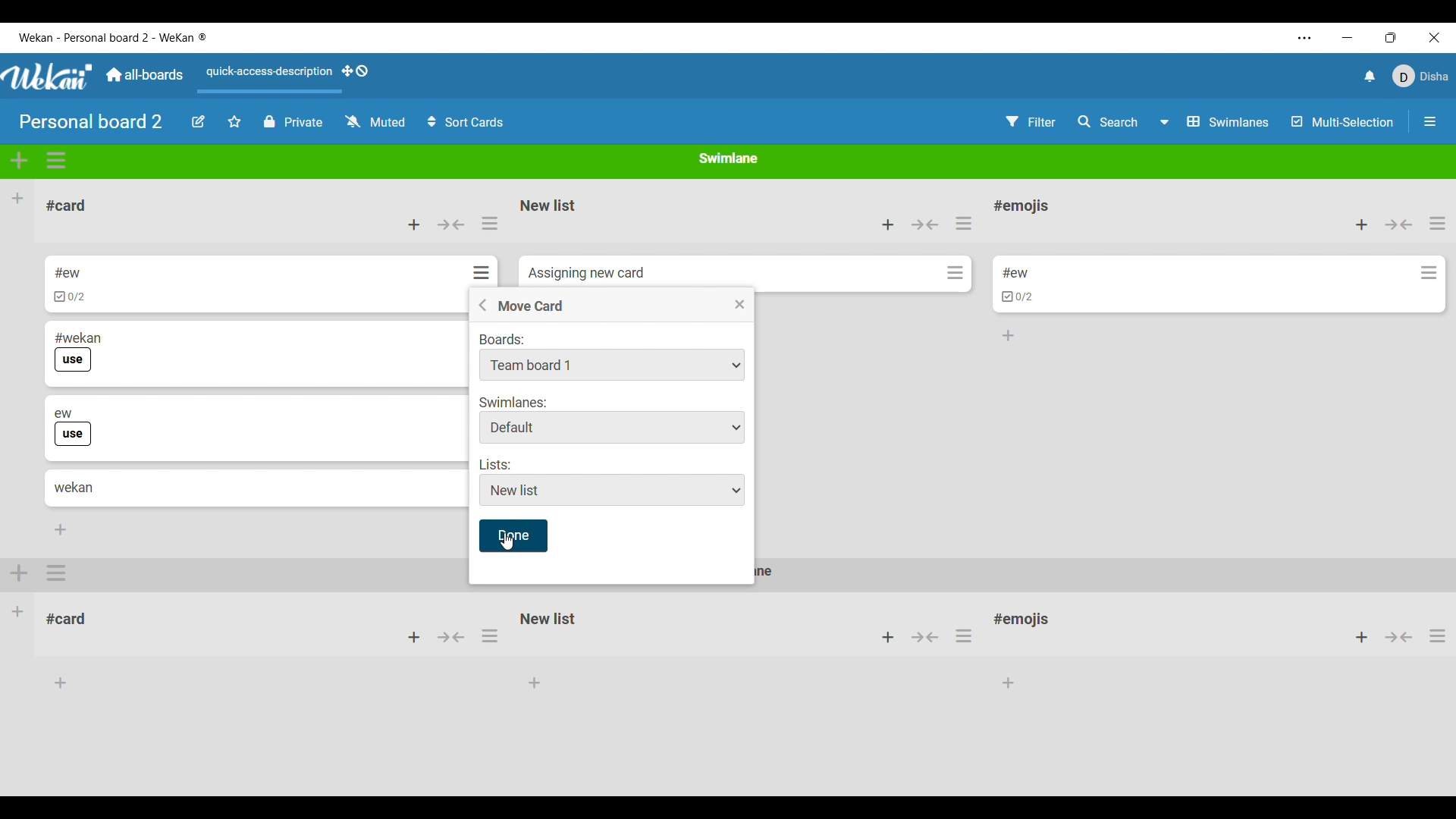 The width and height of the screenshot is (1456, 819). I want to click on Open/Close sidebar, so click(1430, 121).